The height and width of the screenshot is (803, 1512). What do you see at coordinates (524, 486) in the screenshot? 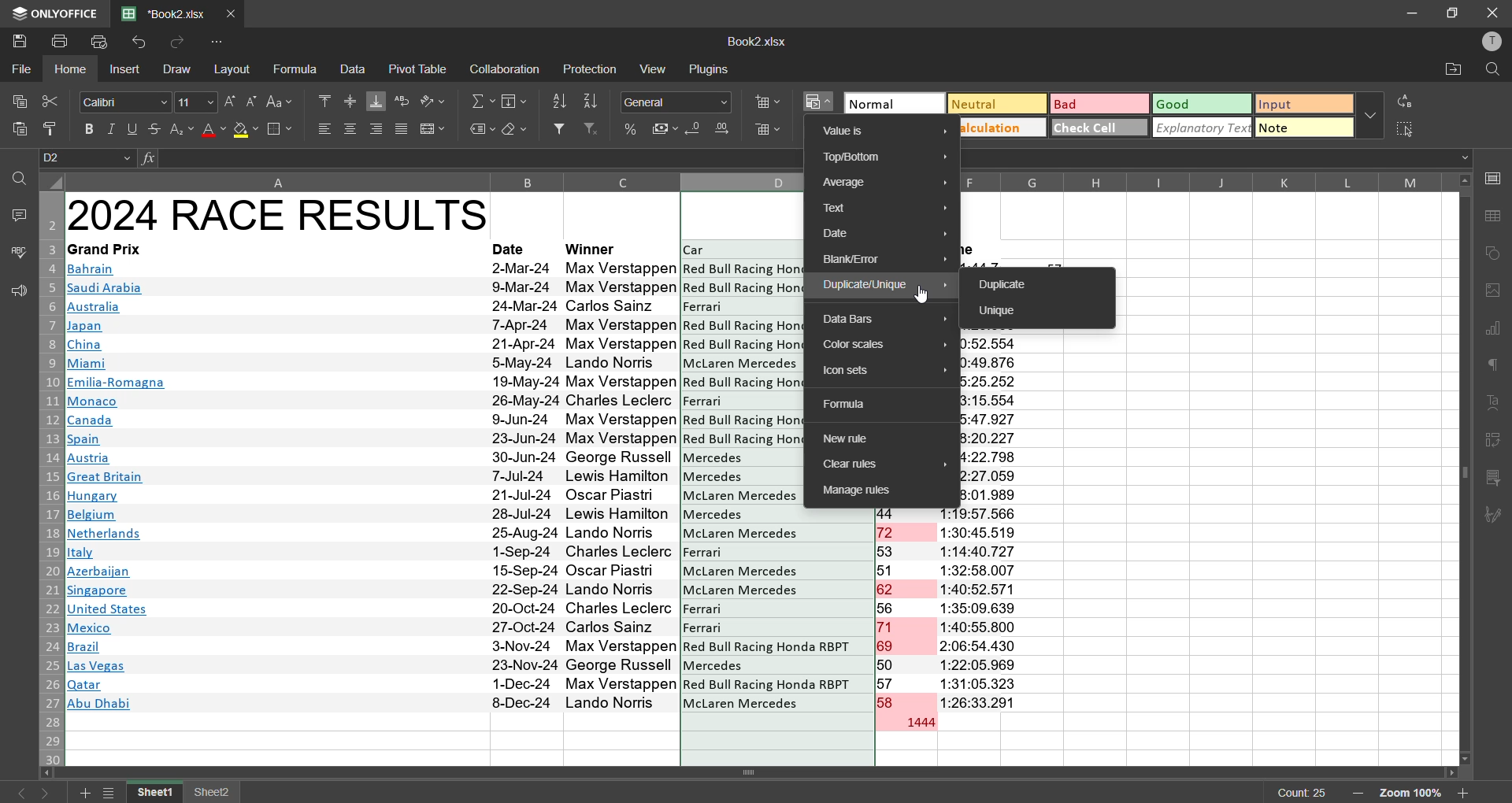
I see `date` at bounding box center [524, 486].